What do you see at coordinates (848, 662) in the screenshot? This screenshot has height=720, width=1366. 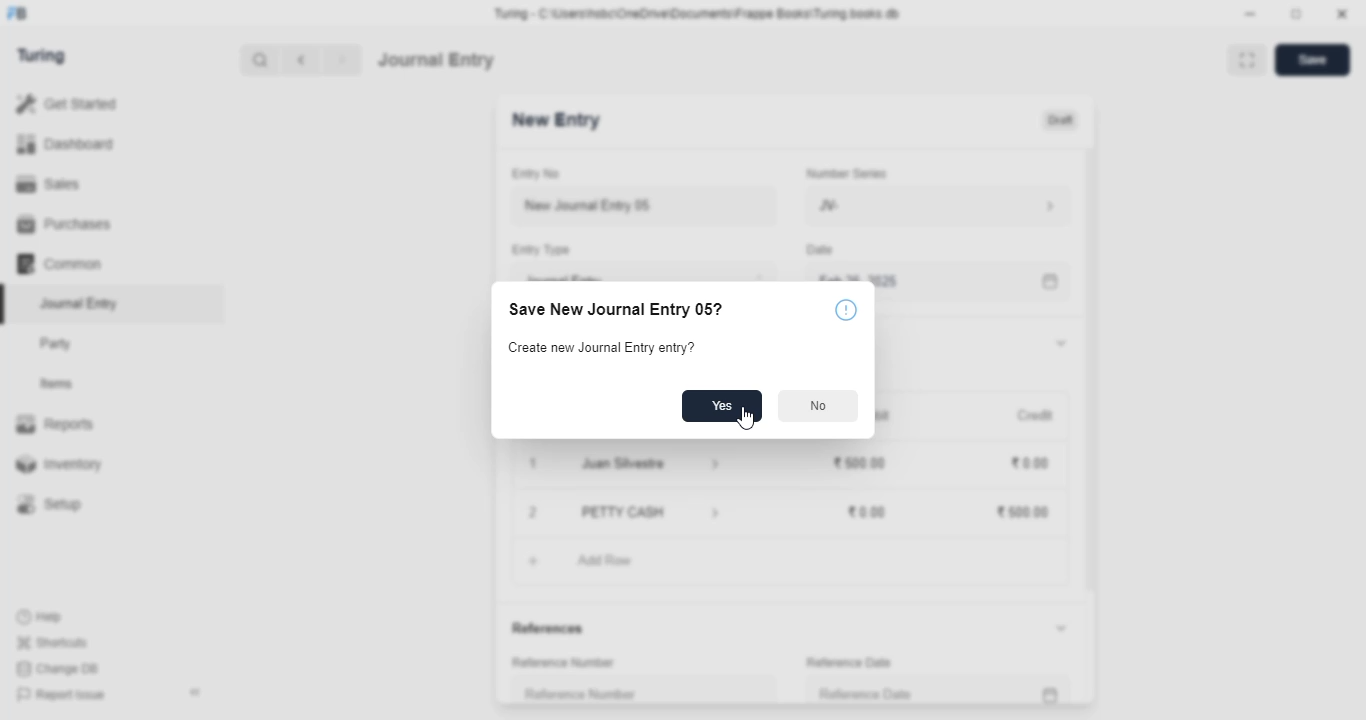 I see `reference date` at bounding box center [848, 662].